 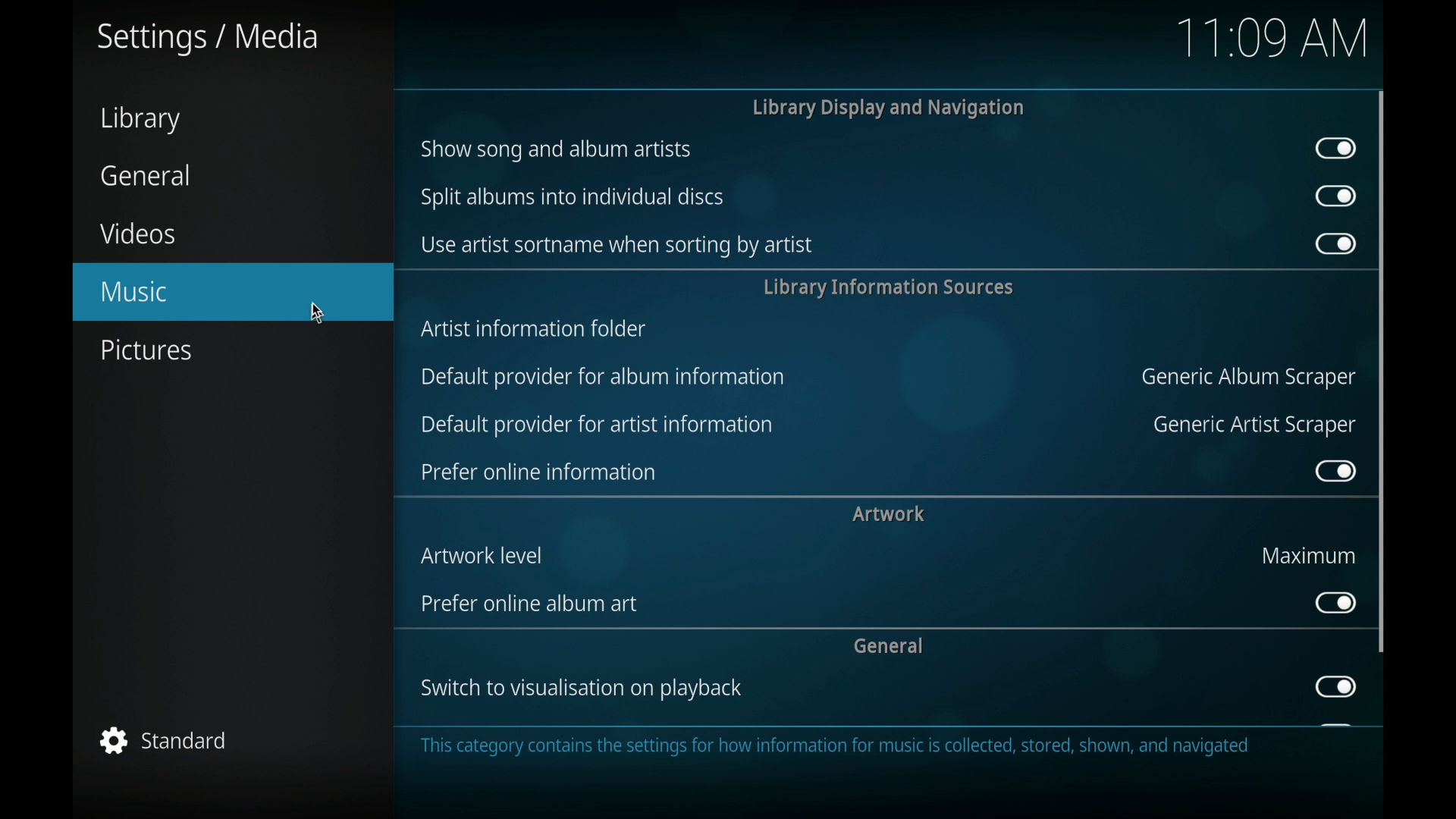 What do you see at coordinates (890, 287) in the screenshot?
I see `library information sources` at bounding box center [890, 287].